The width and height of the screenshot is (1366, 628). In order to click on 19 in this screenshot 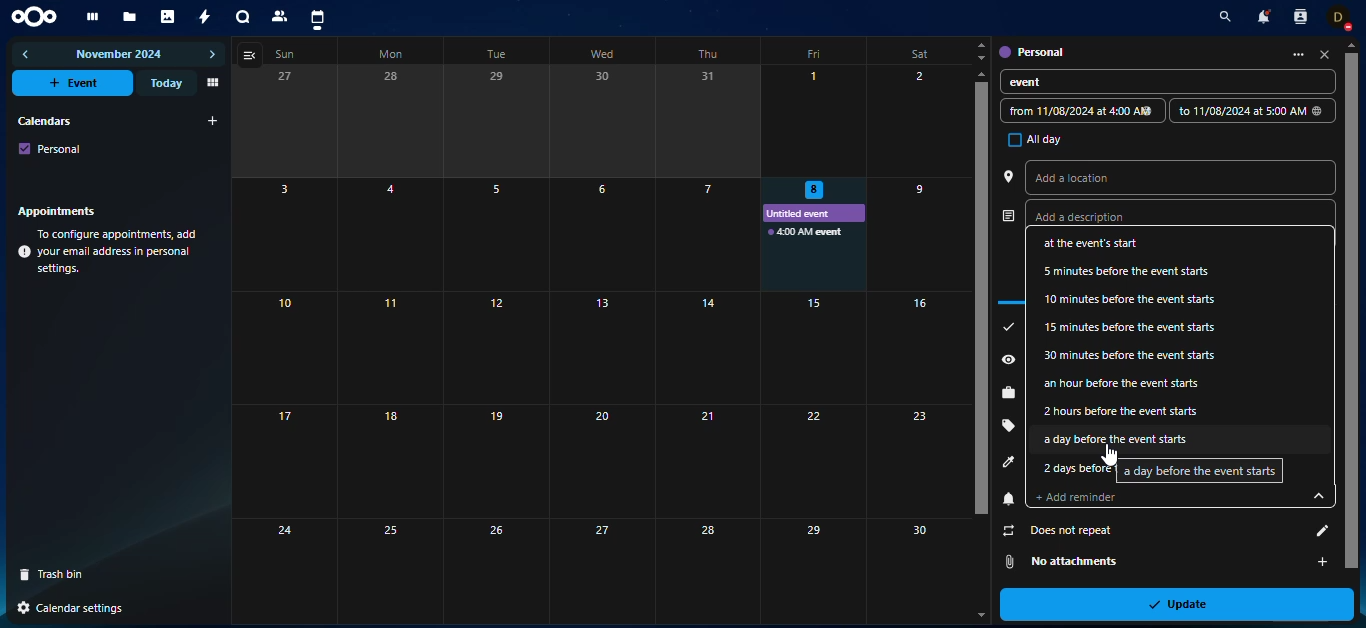, I will do `click(493, 462)`.